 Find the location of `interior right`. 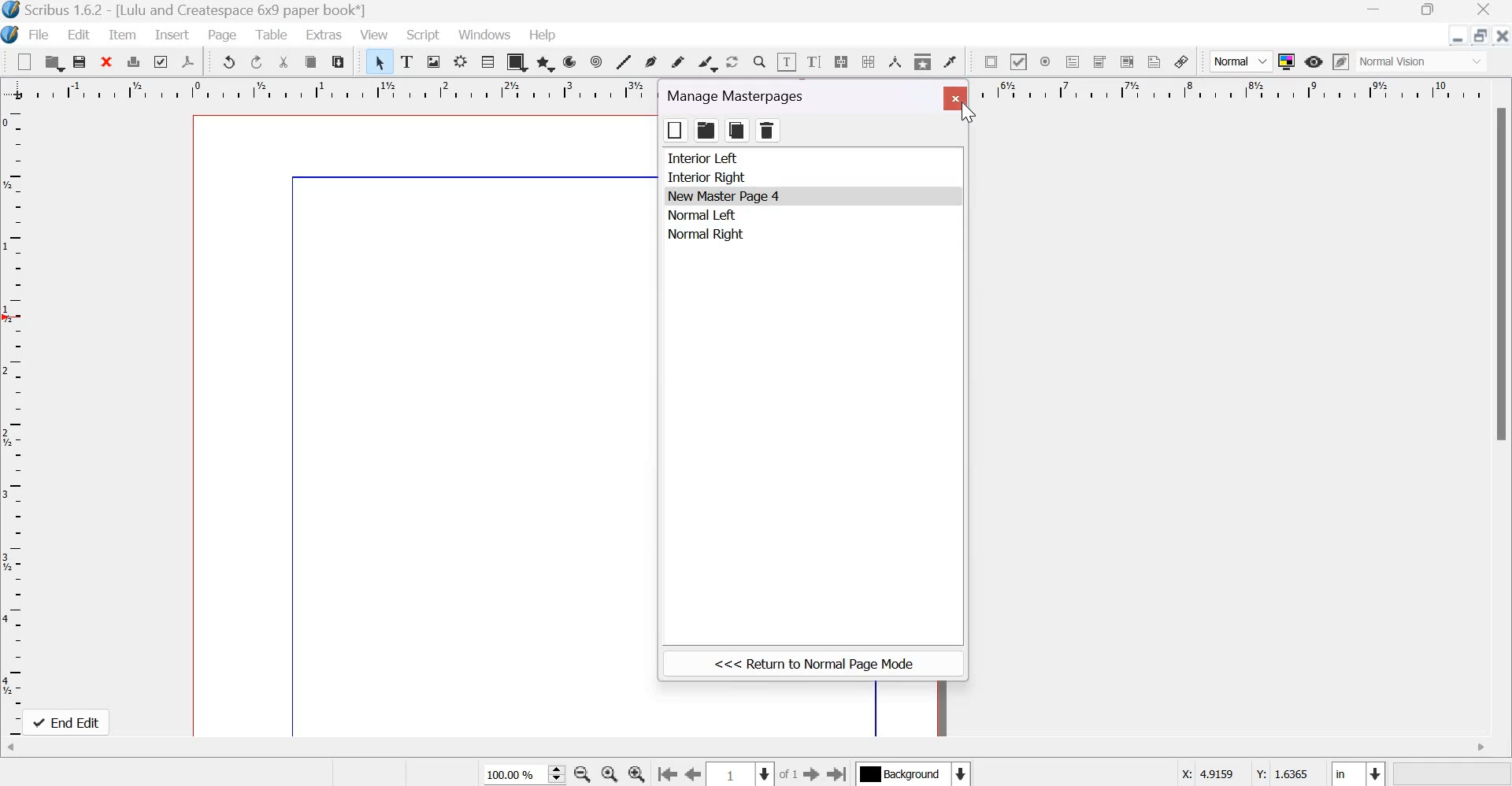

interior right is located at coordinates (707, 177).